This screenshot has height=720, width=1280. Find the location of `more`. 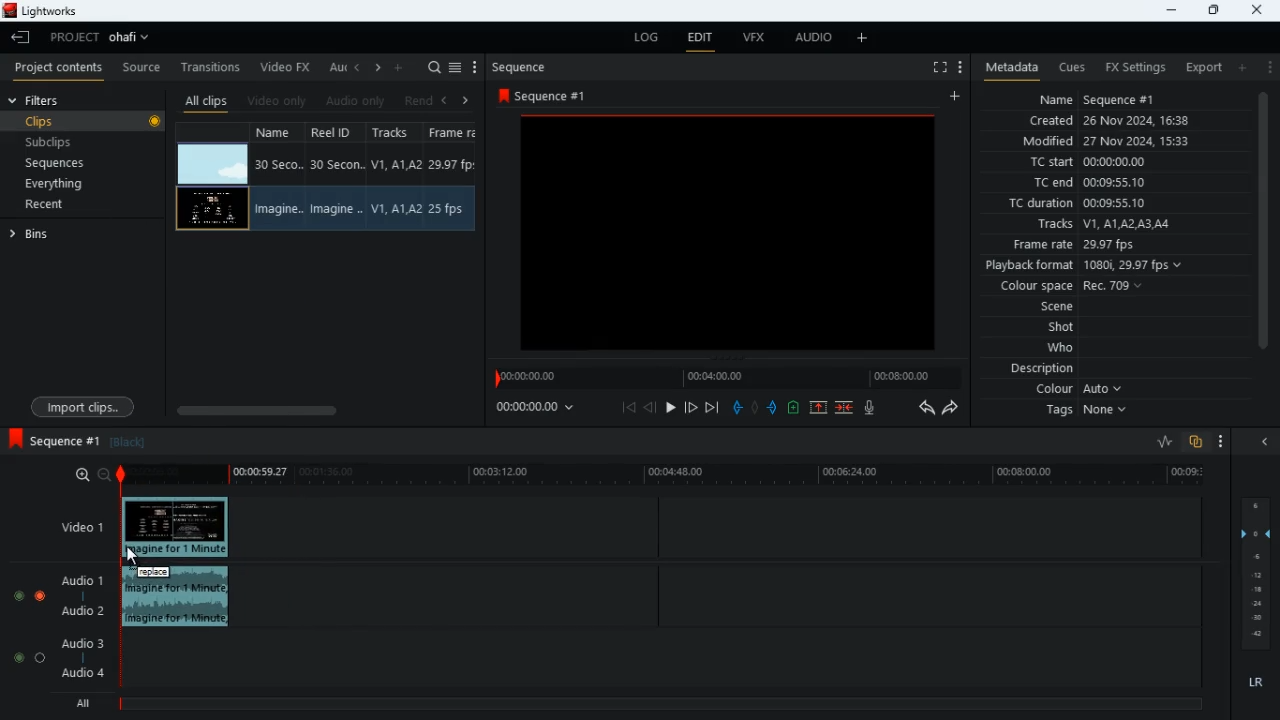

more is located at coordinates (1270, 67).